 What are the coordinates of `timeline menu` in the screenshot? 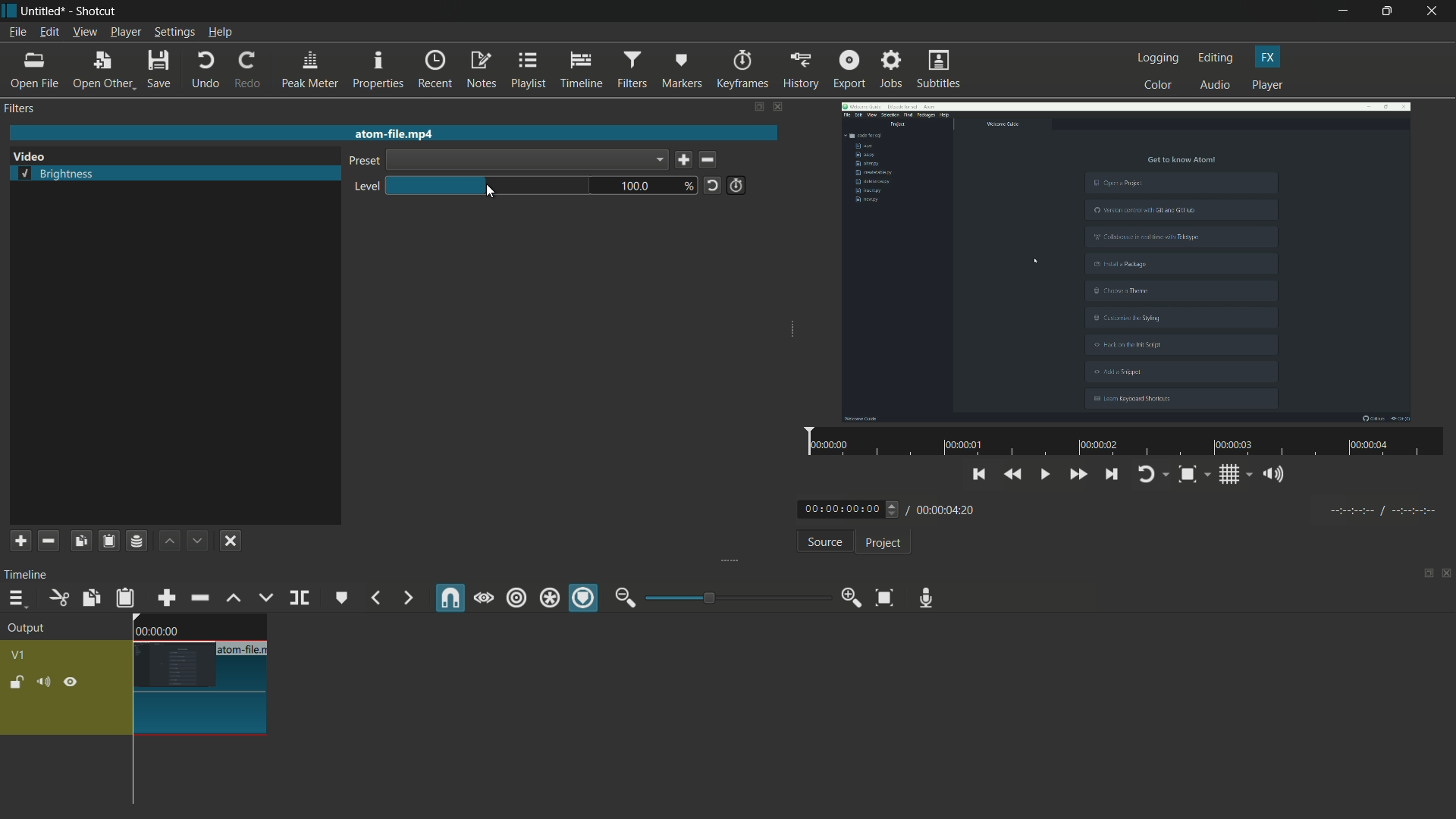 It's located at (17, 600).